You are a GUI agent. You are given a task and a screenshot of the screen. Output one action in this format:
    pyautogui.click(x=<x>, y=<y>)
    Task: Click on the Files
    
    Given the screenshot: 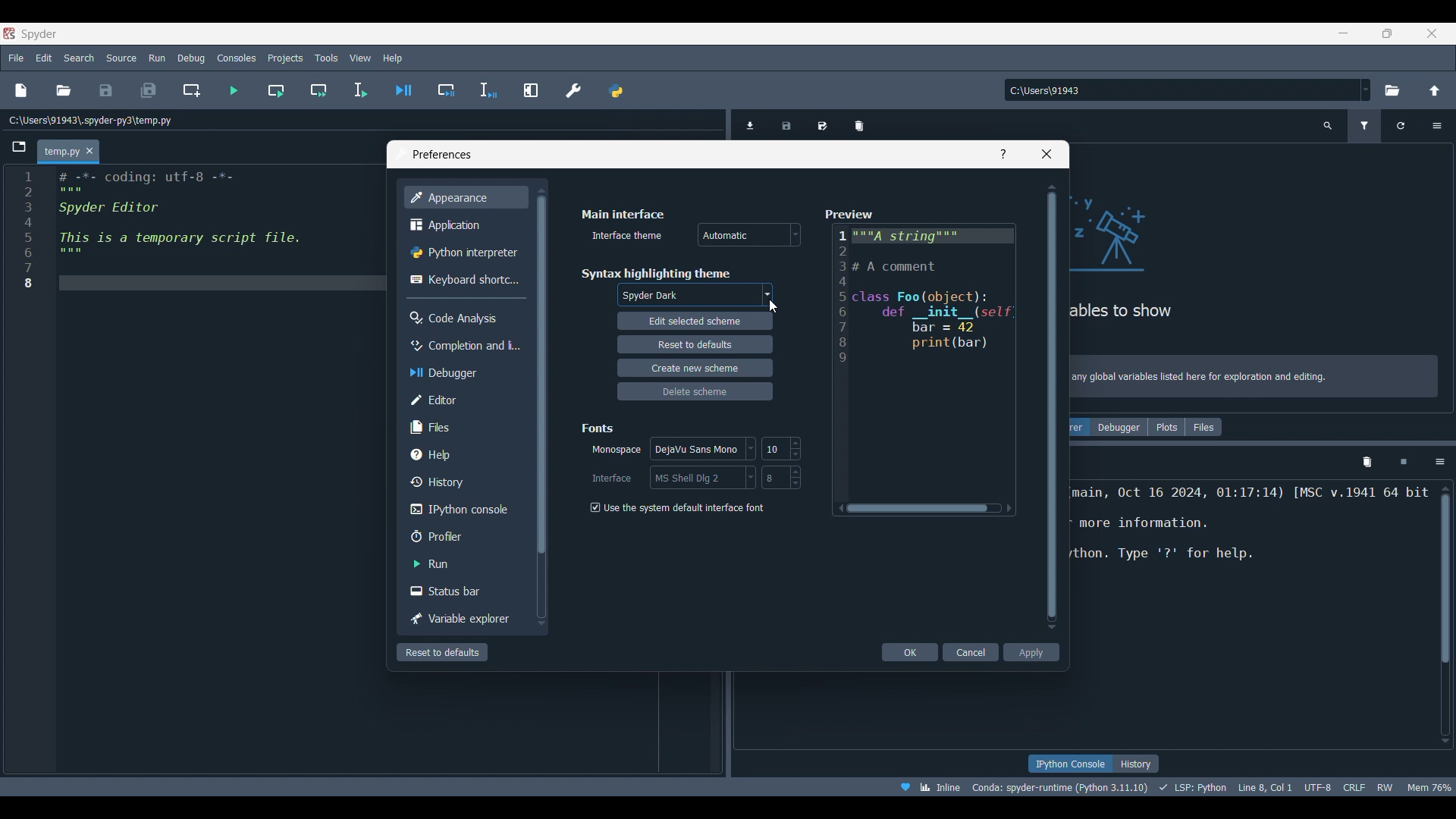 What is the action you would take?
    pyautogui.click(x=1203, y=427)
    